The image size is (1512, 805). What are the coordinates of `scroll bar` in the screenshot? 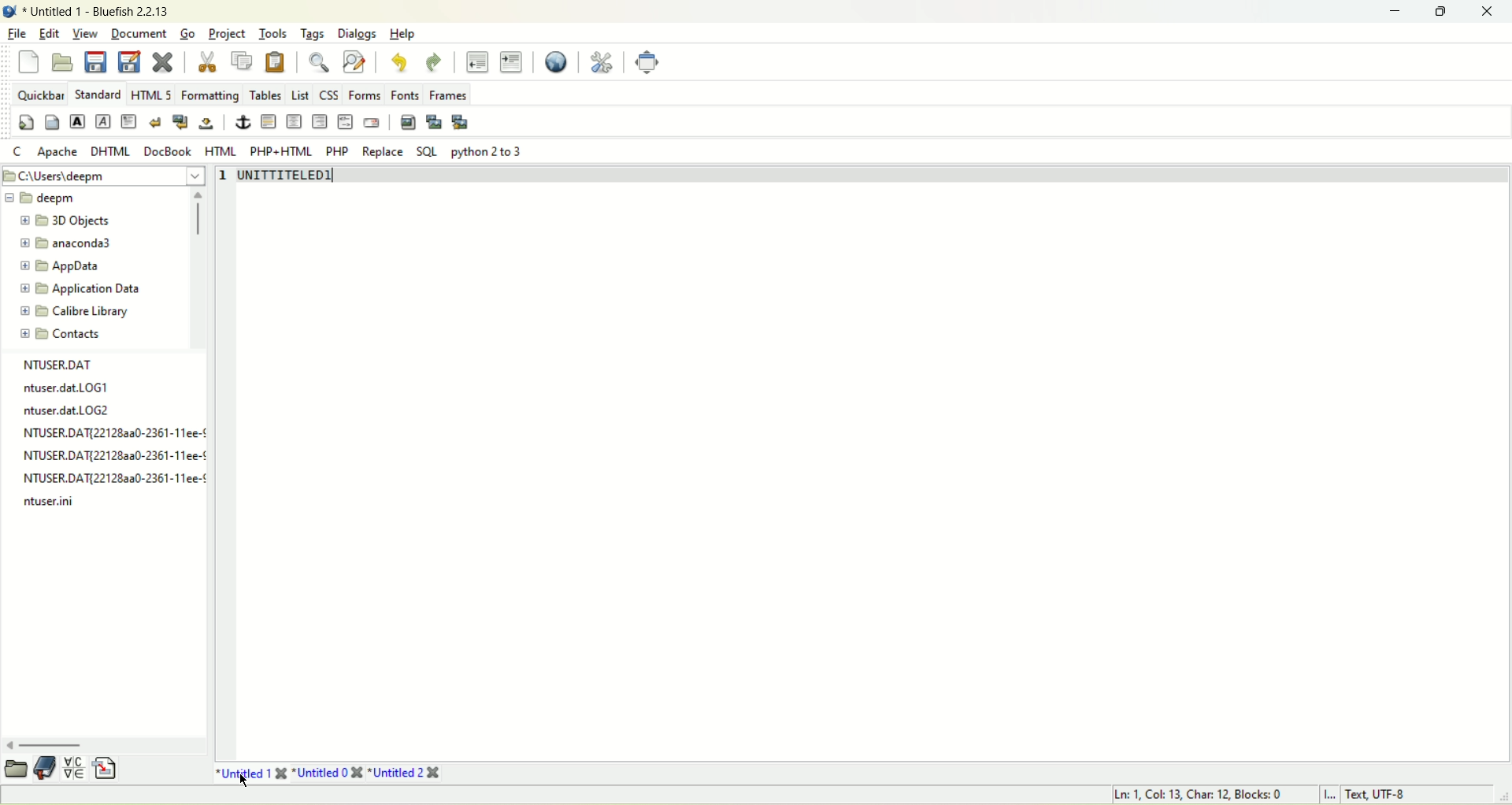 It's located at (70, 741).